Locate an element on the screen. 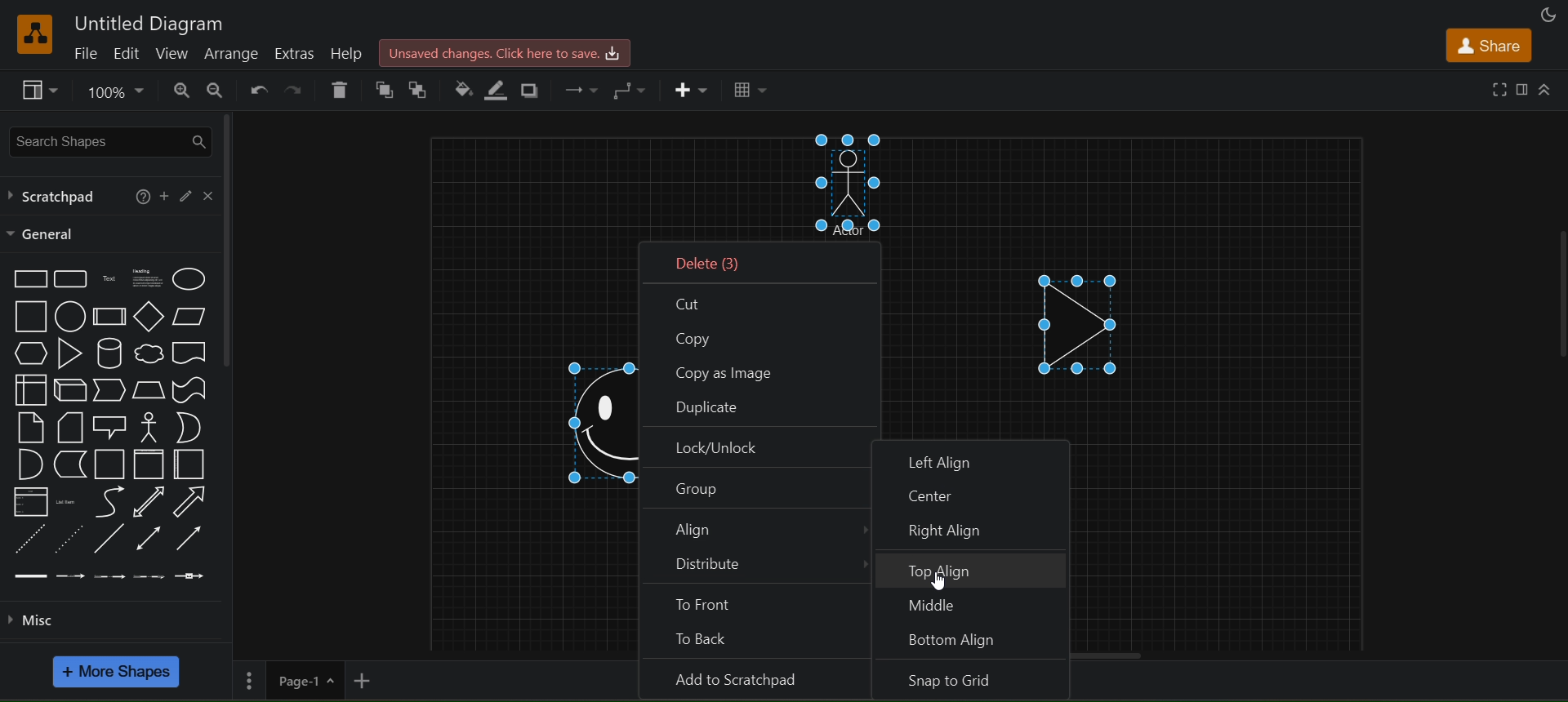 Image resolution: width=1568 pixels, height=702 pixels. hexagon is located at coordinates (28, 353).